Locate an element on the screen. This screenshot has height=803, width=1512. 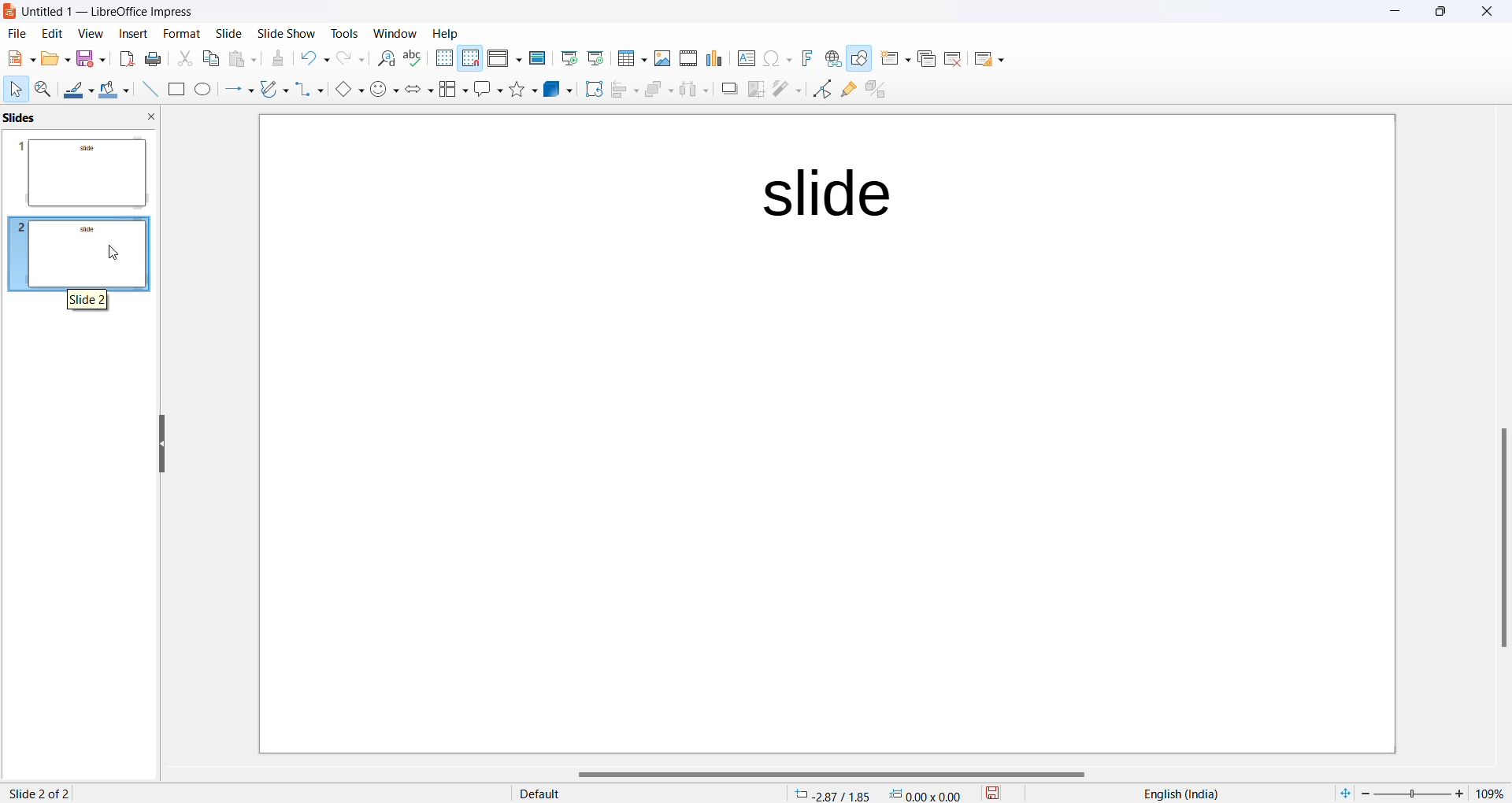
close slide preview pane is located at coordinates (154, 118).